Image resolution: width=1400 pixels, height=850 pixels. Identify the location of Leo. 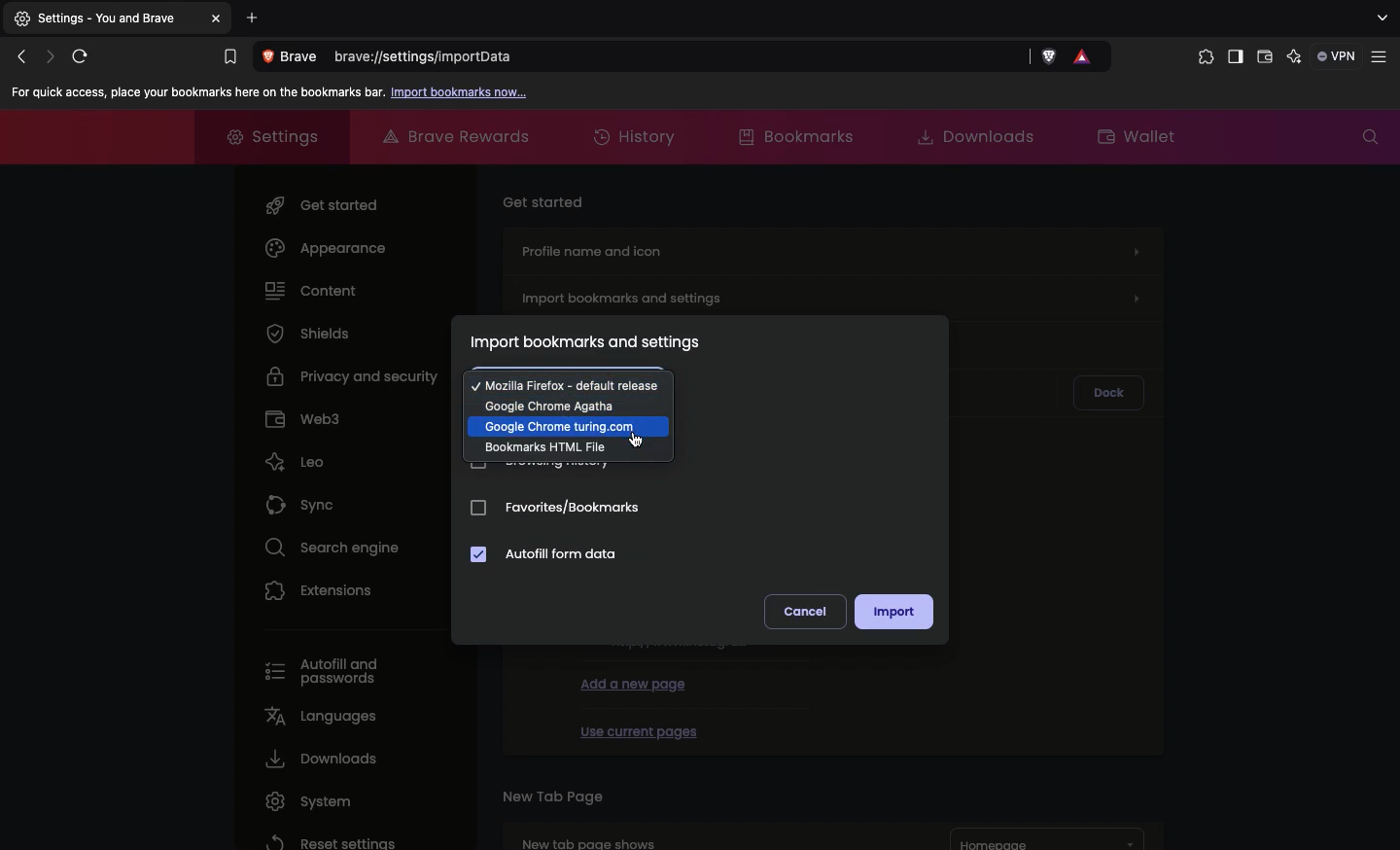
(295, 457).